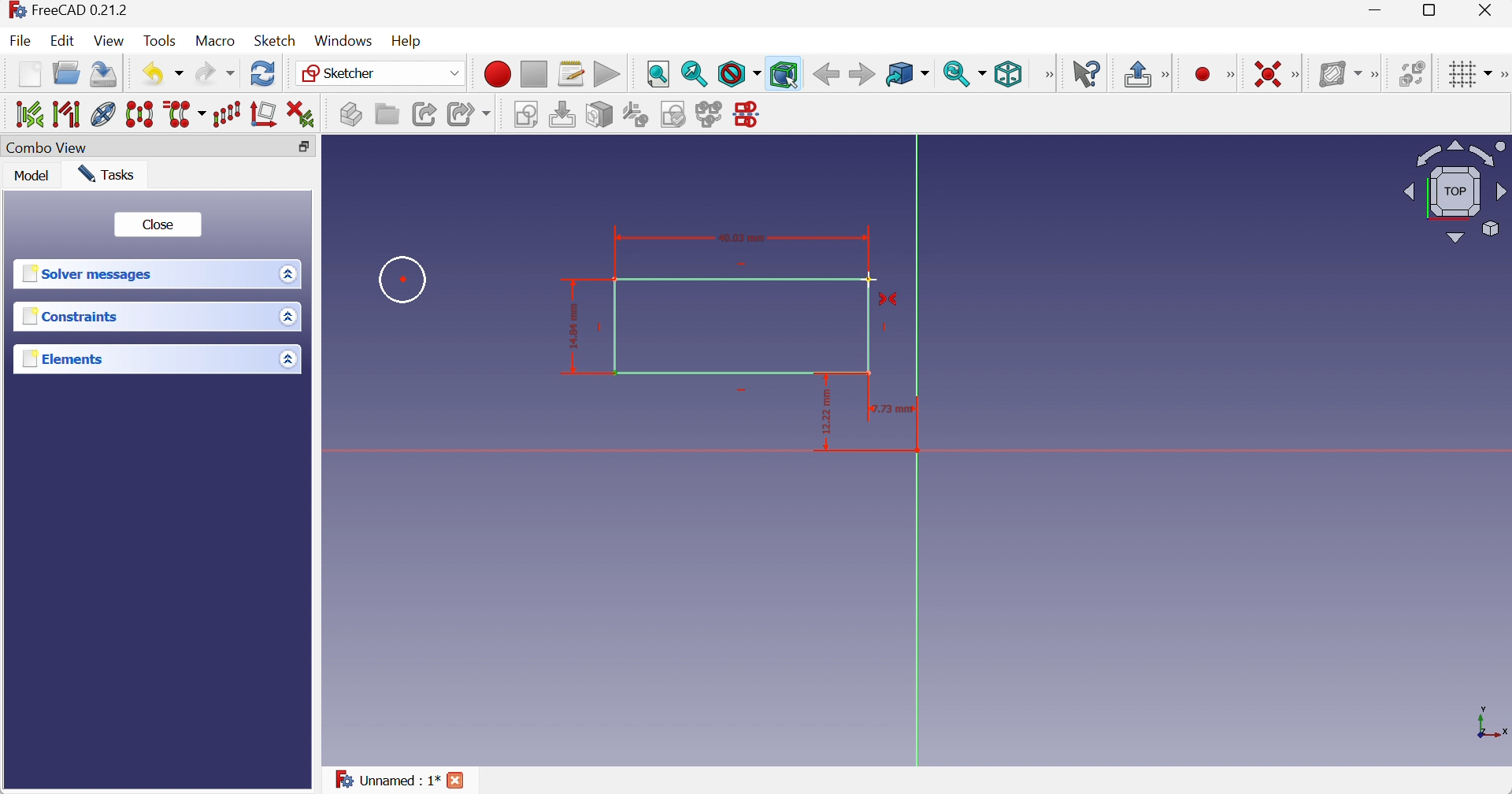 This screenshot has height=794, width=1512. Describe the element at coordinates (28, 113) in the screenshot. I see `Select associated constraints` at that location.